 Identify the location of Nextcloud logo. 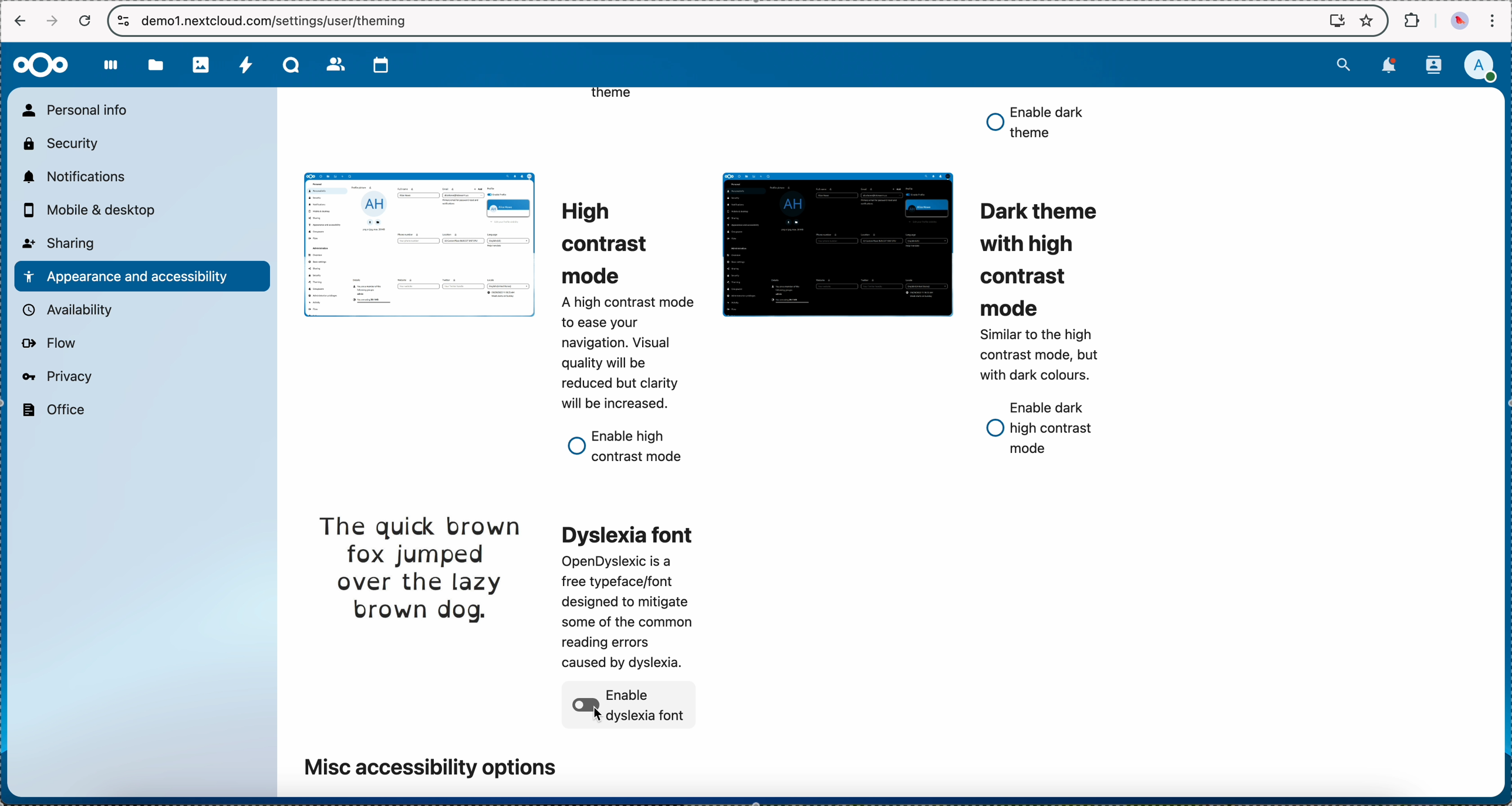
(42, 64).